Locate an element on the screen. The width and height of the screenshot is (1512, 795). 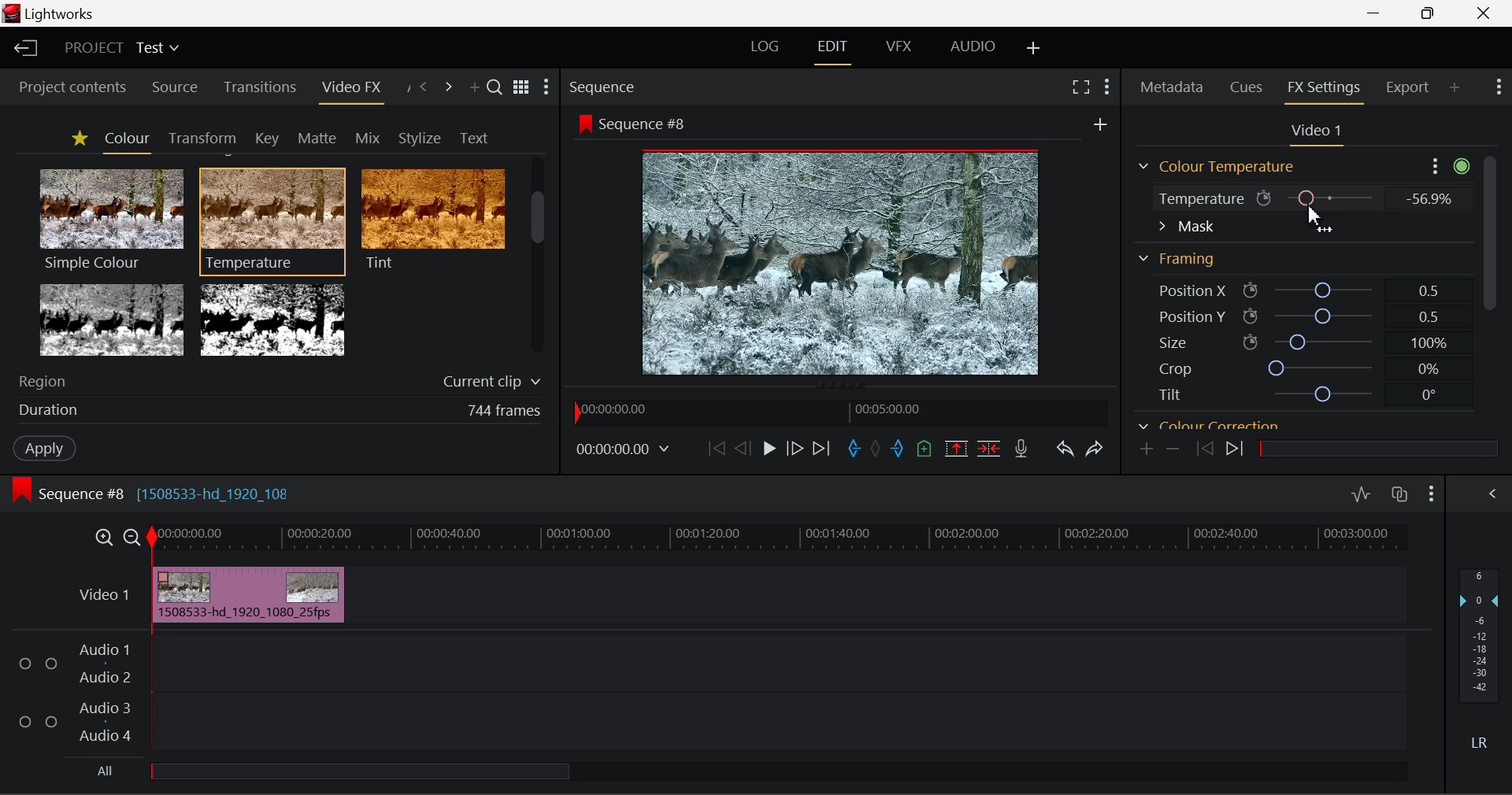
Show Settings is located at coordinates (1447, 165).